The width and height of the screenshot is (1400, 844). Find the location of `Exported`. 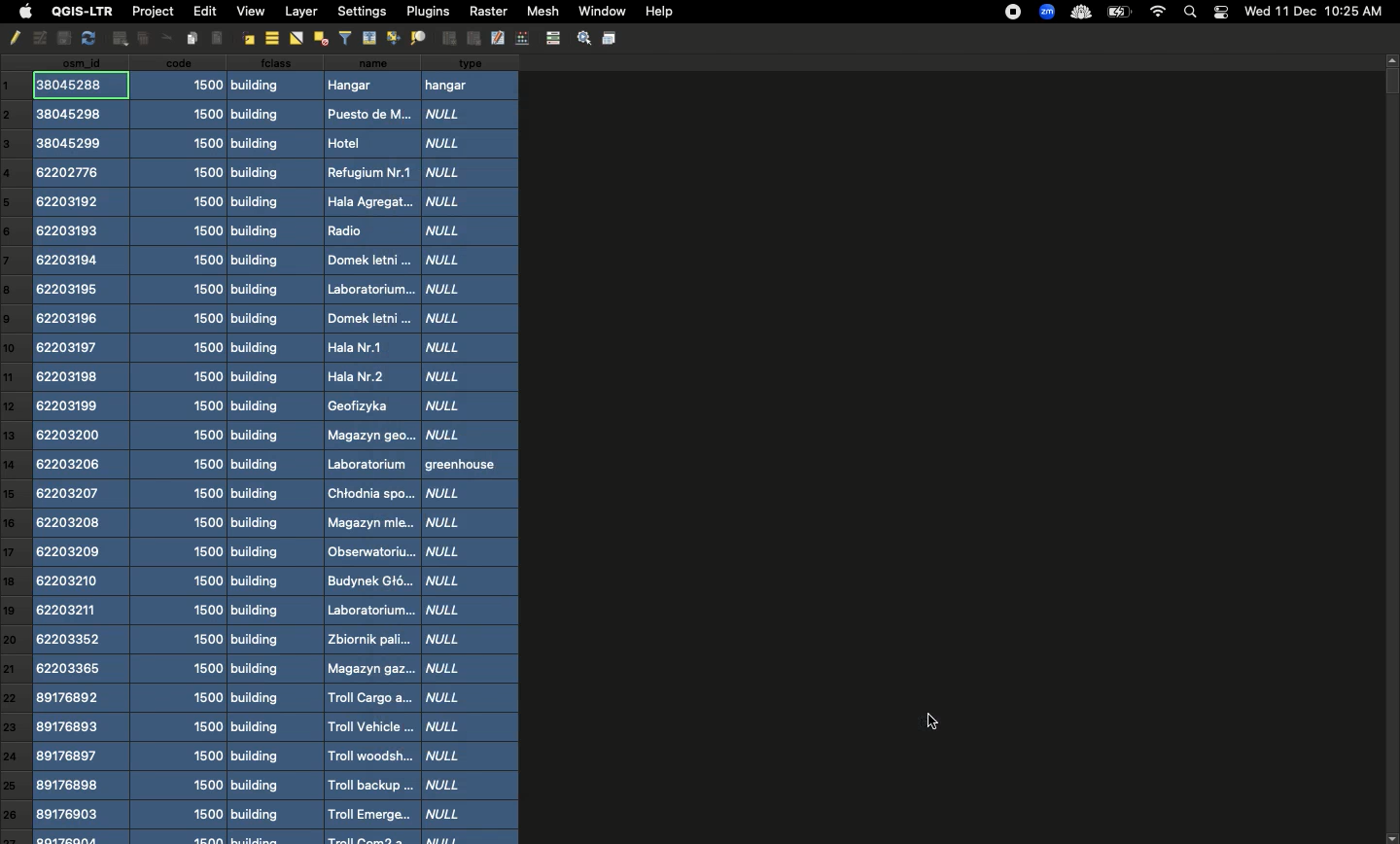

Exported is located at coordinates (932, 721).